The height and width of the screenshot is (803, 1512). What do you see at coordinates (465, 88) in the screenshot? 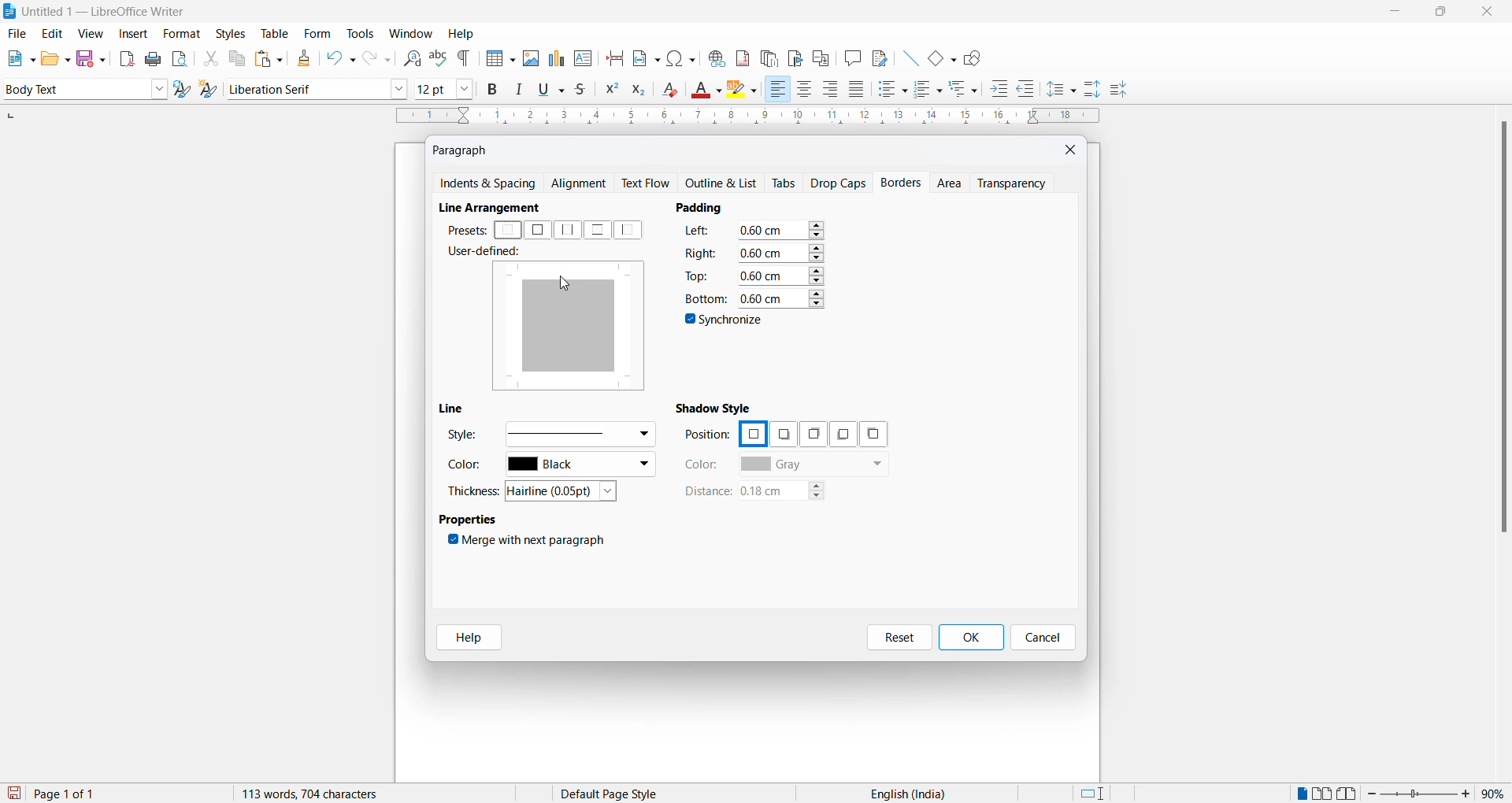
I see `font size options` at bounding box center [465, 88].